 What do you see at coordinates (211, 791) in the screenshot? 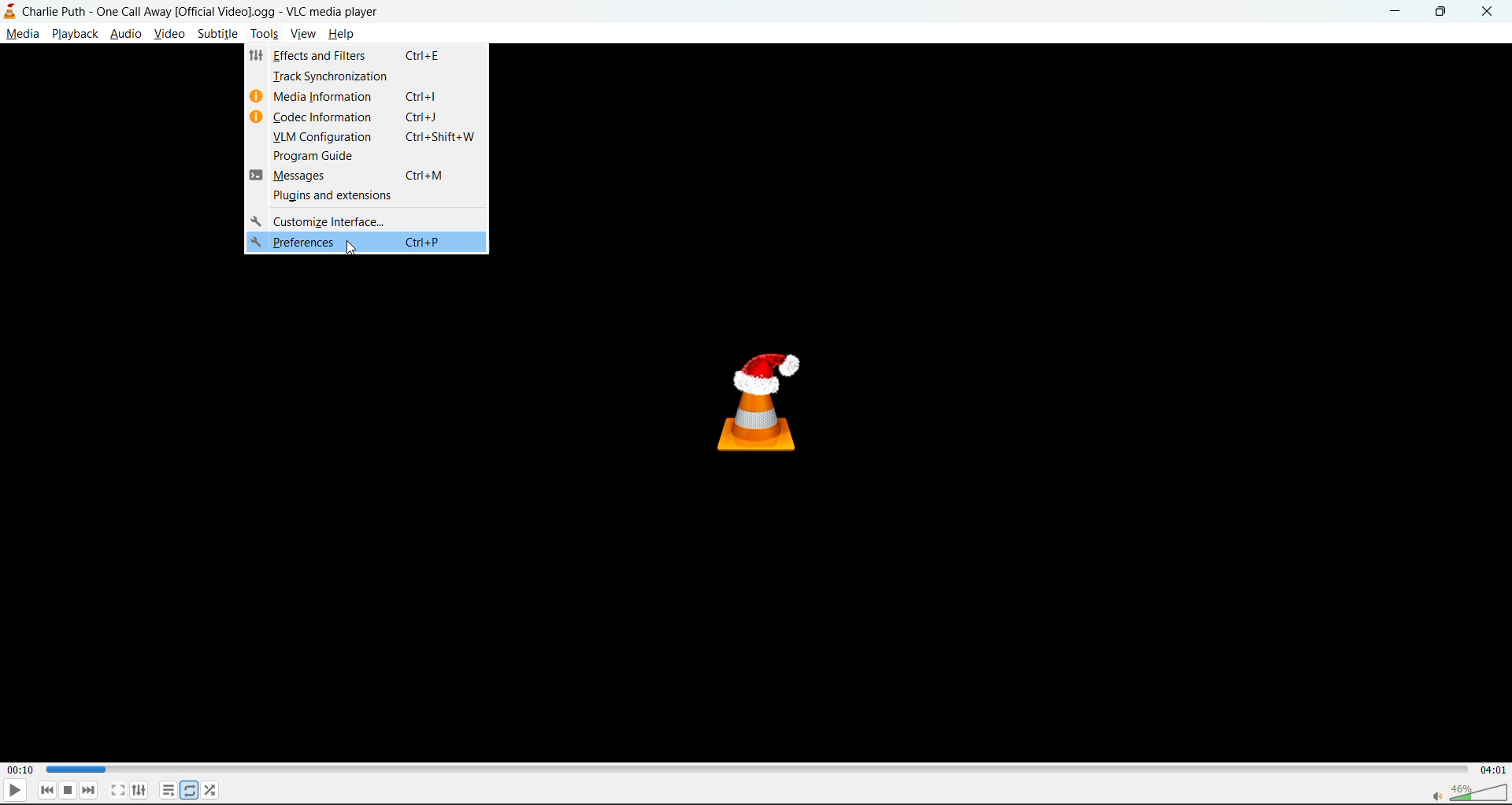
I see `random` at bounding box center [211, 791].